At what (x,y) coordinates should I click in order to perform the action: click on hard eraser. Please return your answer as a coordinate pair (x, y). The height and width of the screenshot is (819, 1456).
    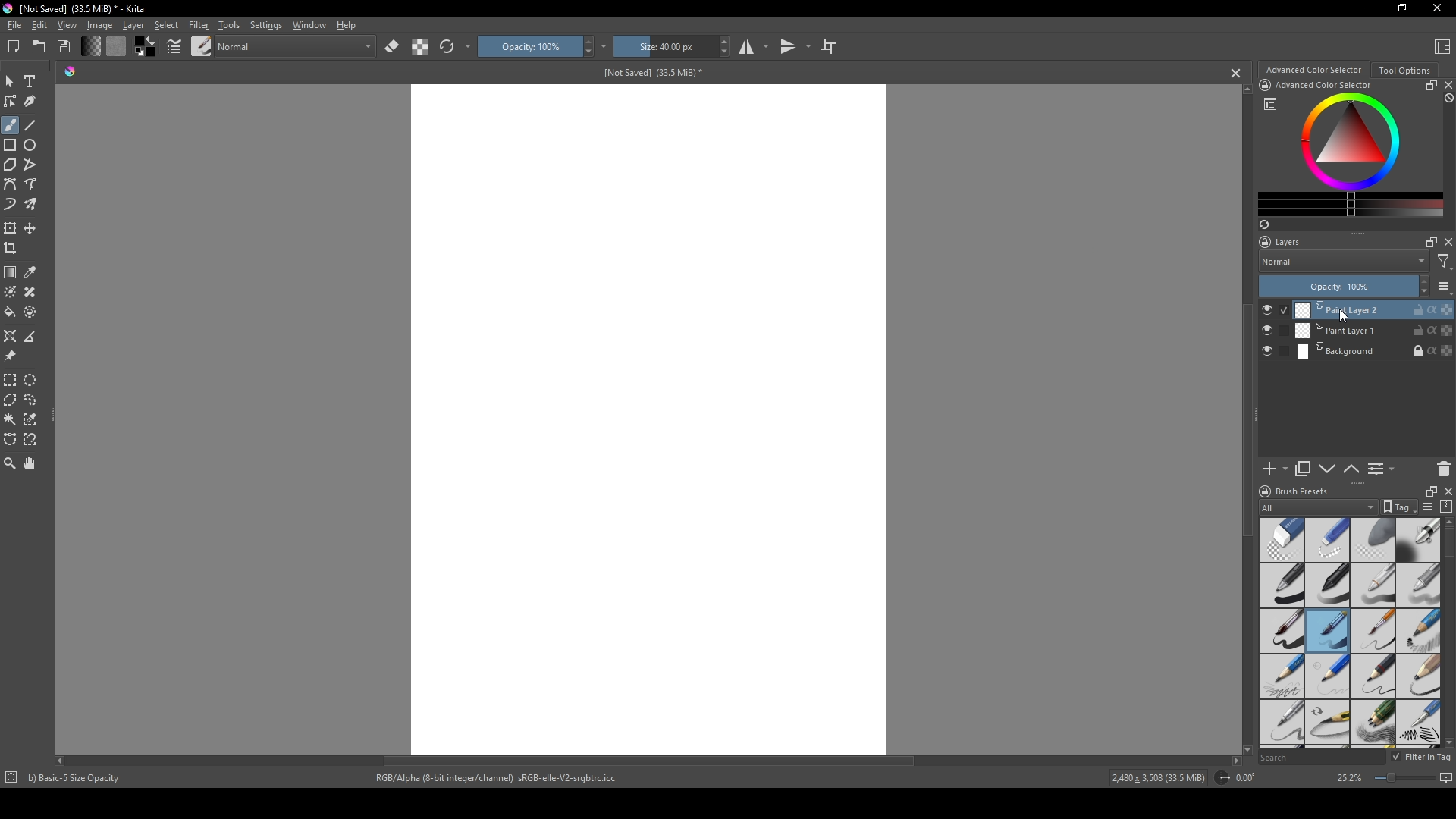
    Looking at the image, I should click on (1326, 539).